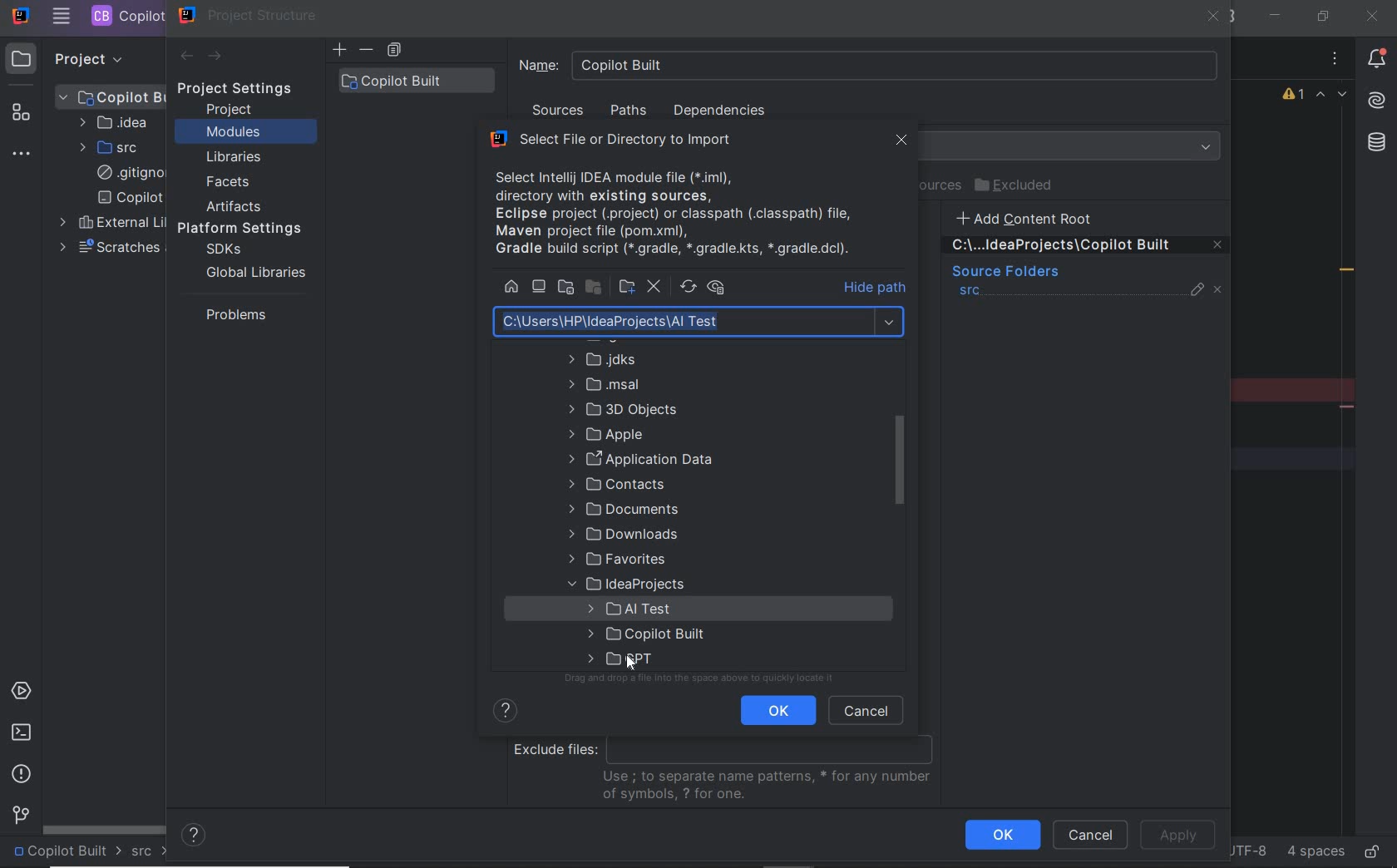  I want to click on apply, so click(1177, 836).